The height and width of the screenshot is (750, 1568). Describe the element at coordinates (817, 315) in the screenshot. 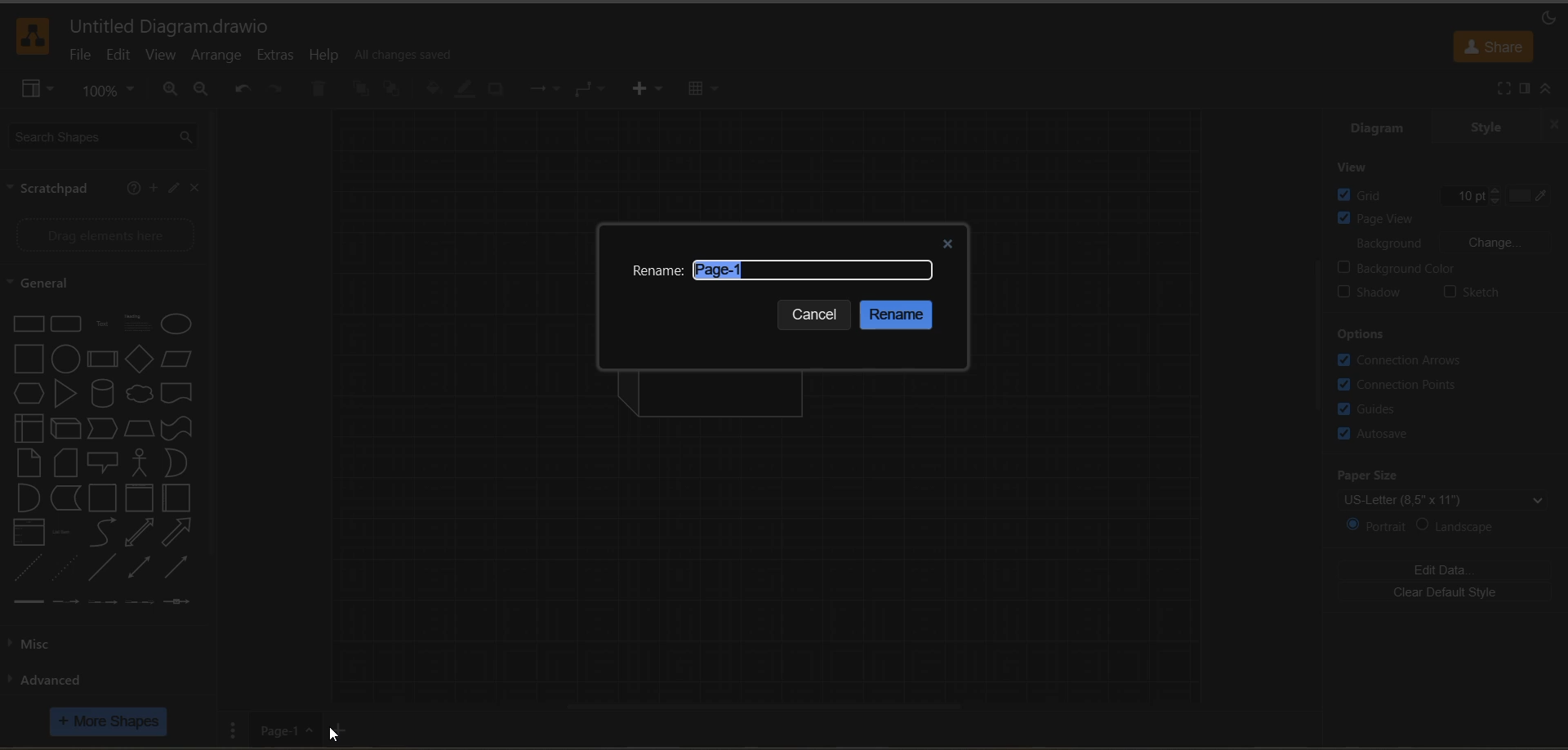

I see `cancel` at that location.